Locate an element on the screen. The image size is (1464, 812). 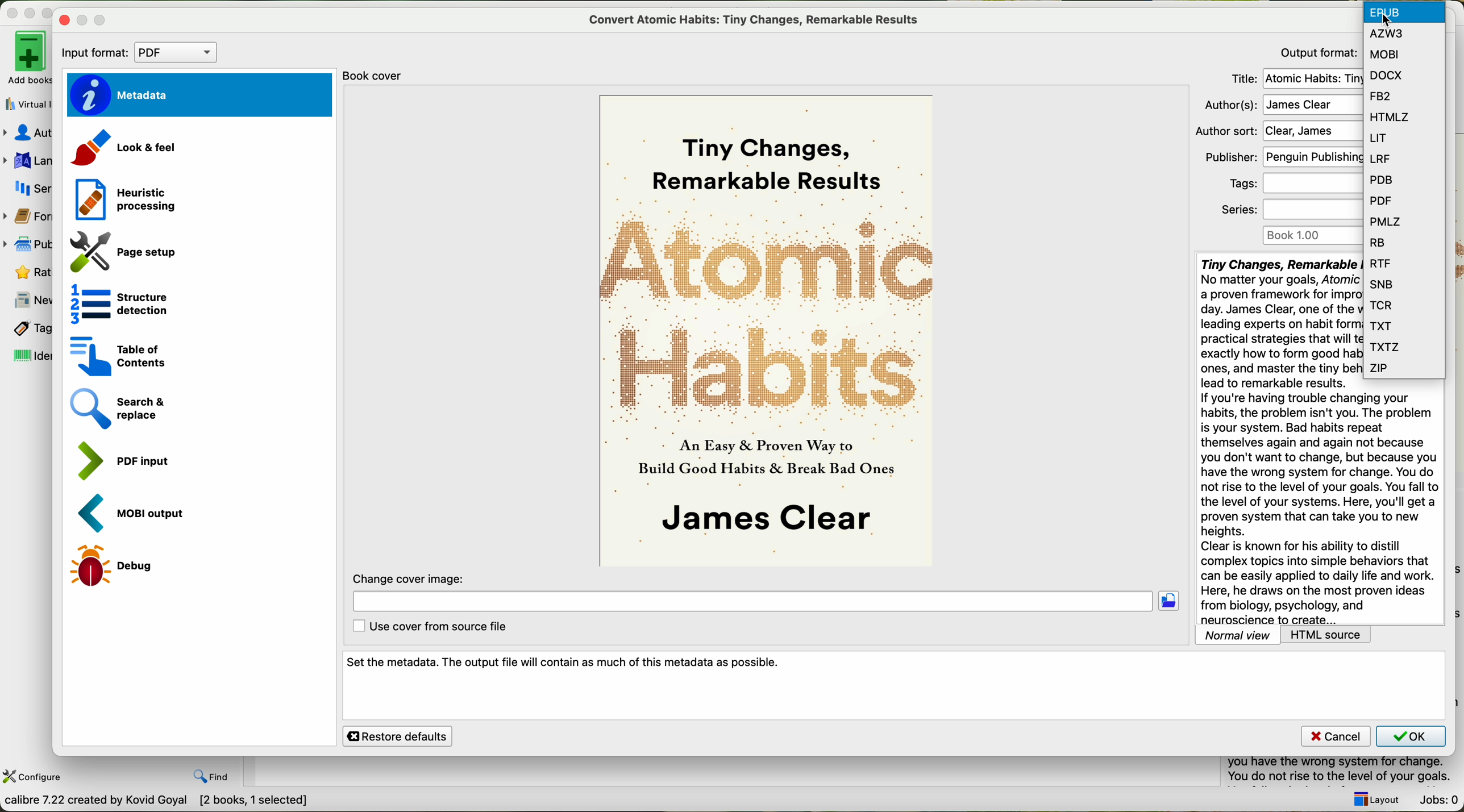
output format is located at coordinates (1317, 53).